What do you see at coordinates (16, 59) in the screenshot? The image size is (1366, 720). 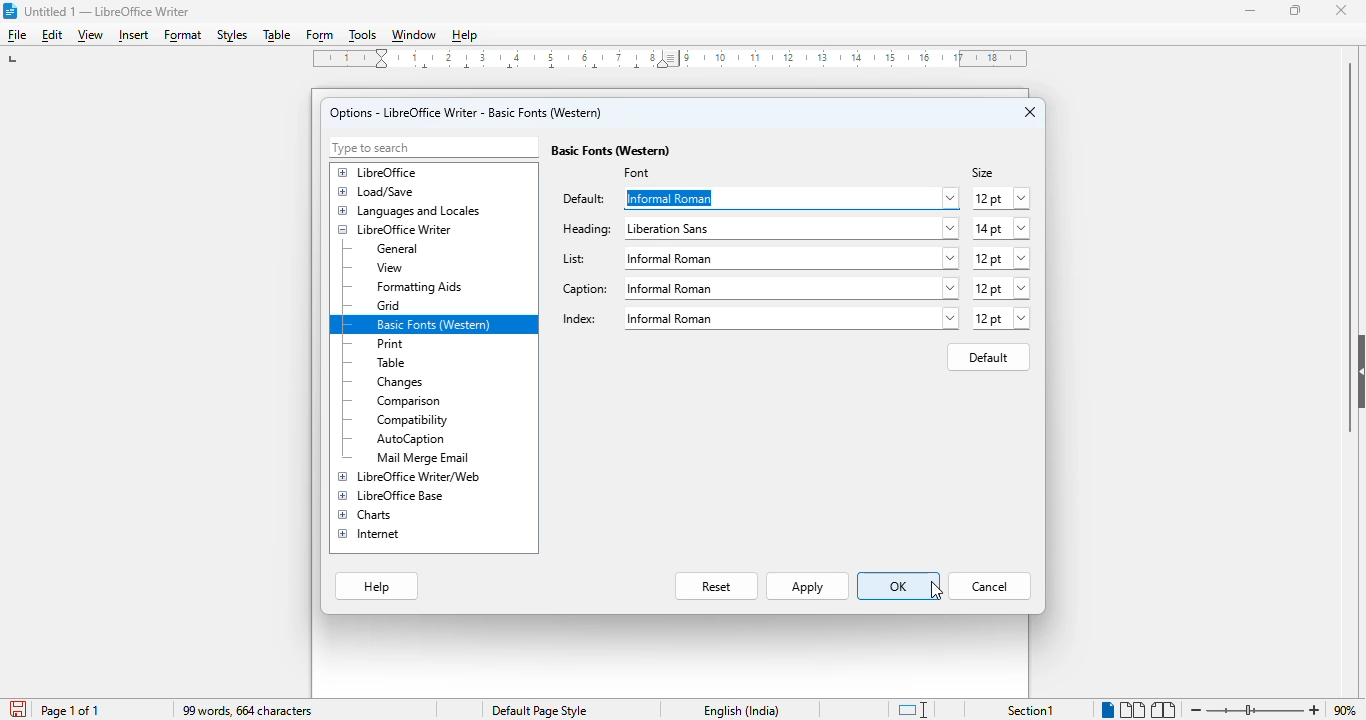 I see `left tab stop option` at bounding box center [16, 59].